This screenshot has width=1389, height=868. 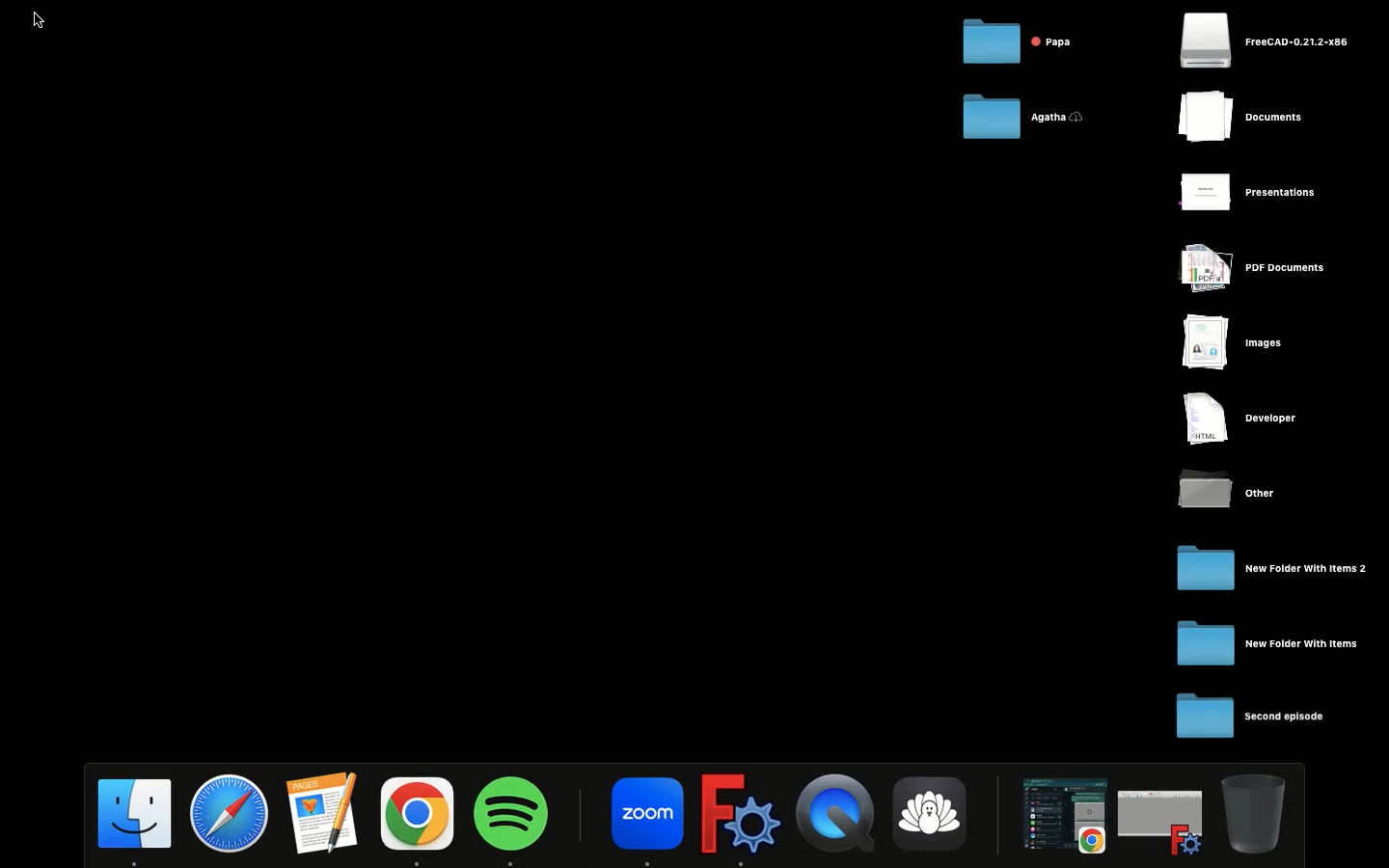 I want to click on ColdTurkey, so click(x=940, y=816).